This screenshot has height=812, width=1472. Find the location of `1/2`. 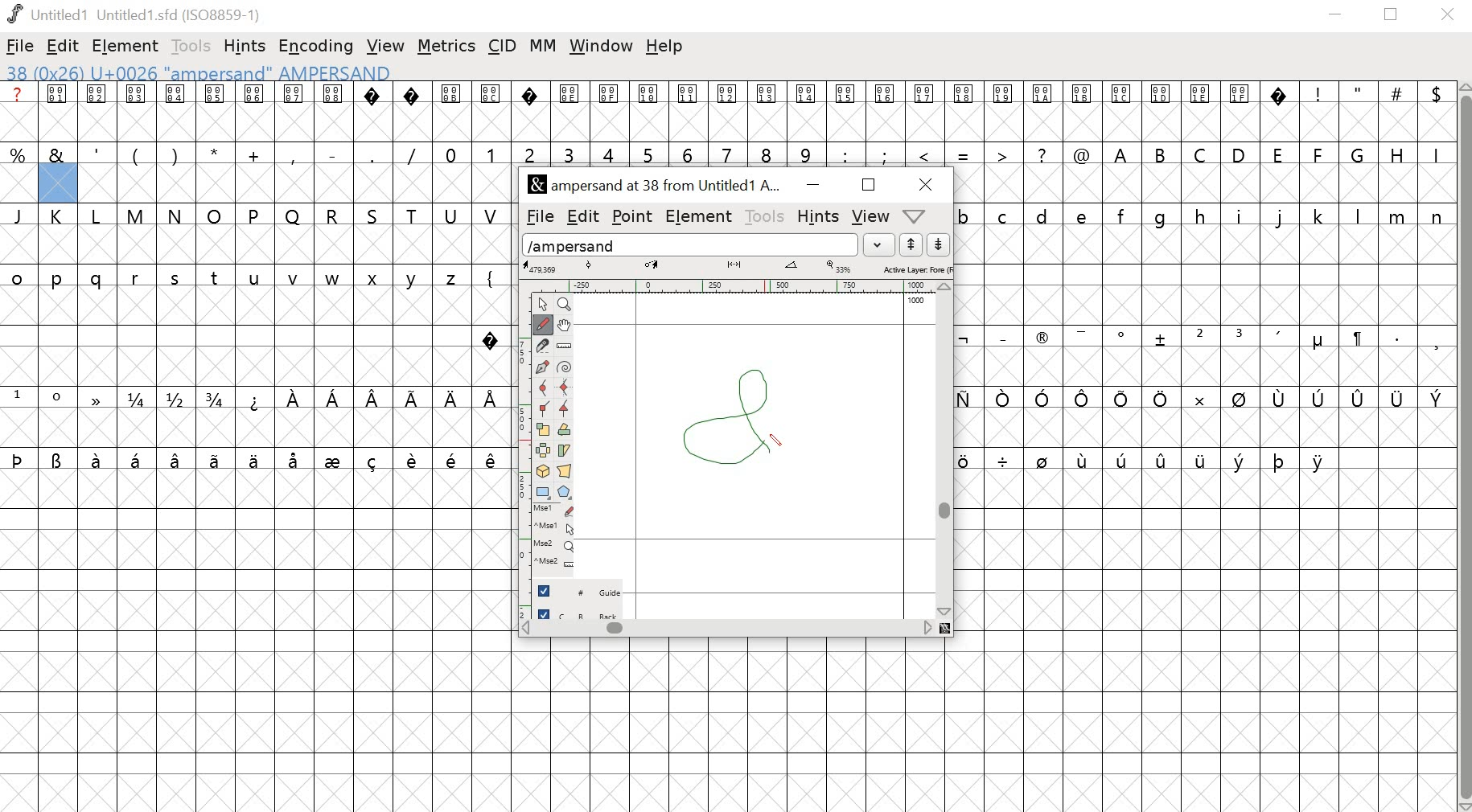

1/2 is located at coordinates (178, 399).